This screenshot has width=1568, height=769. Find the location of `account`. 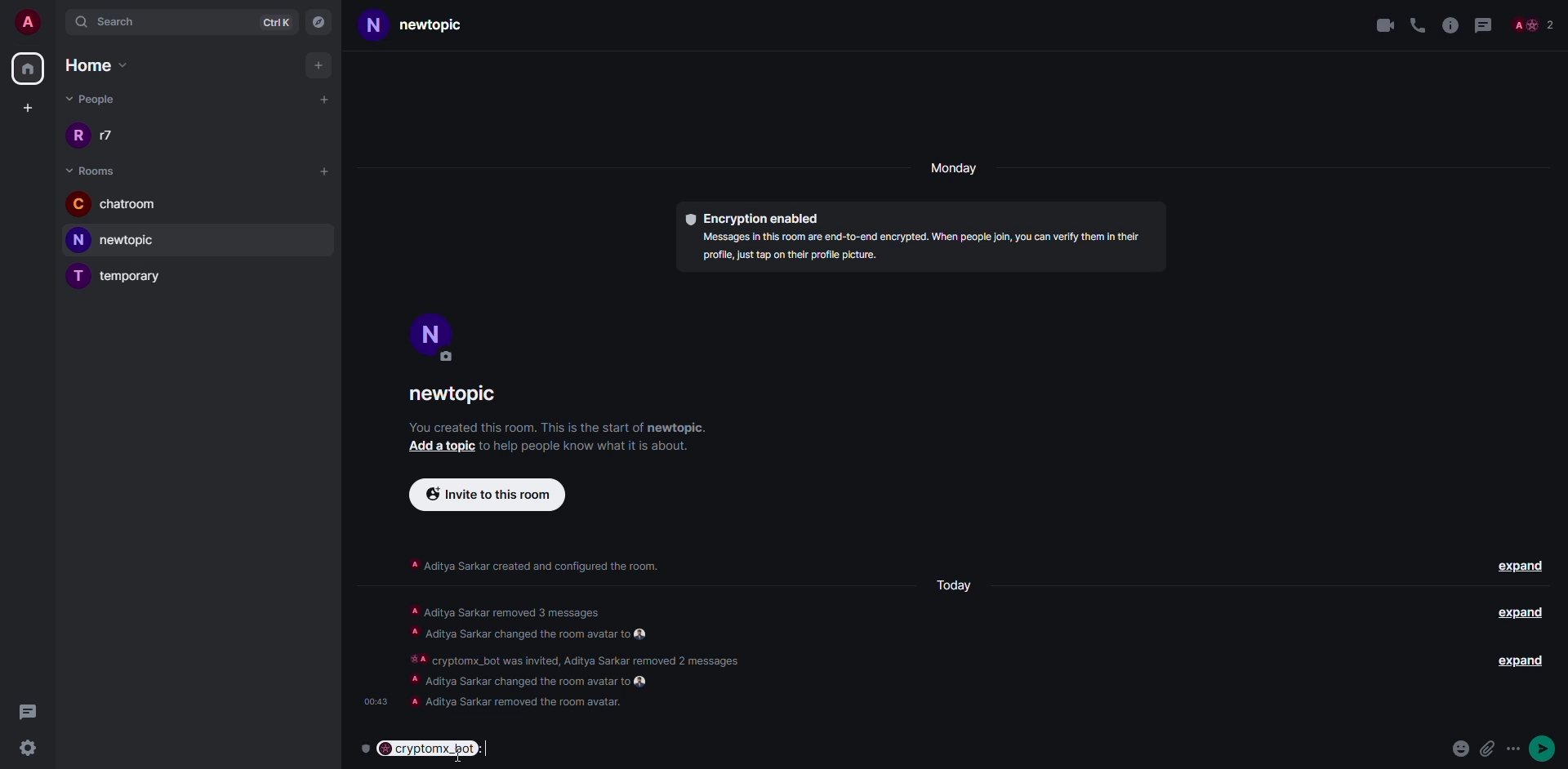

account is located at coordinates (29, 20).